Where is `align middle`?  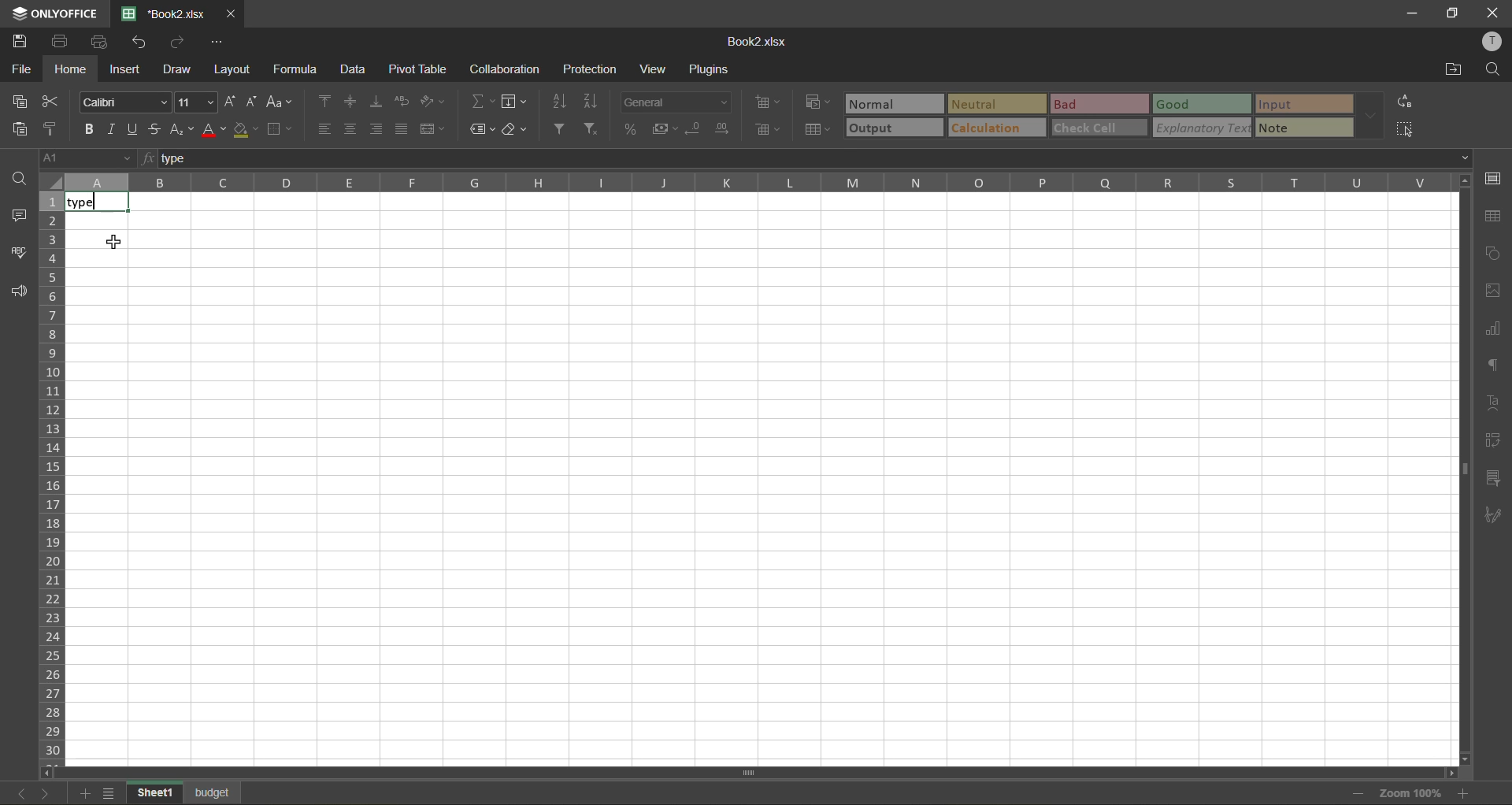
align middle is located at coordinates (353, 102).